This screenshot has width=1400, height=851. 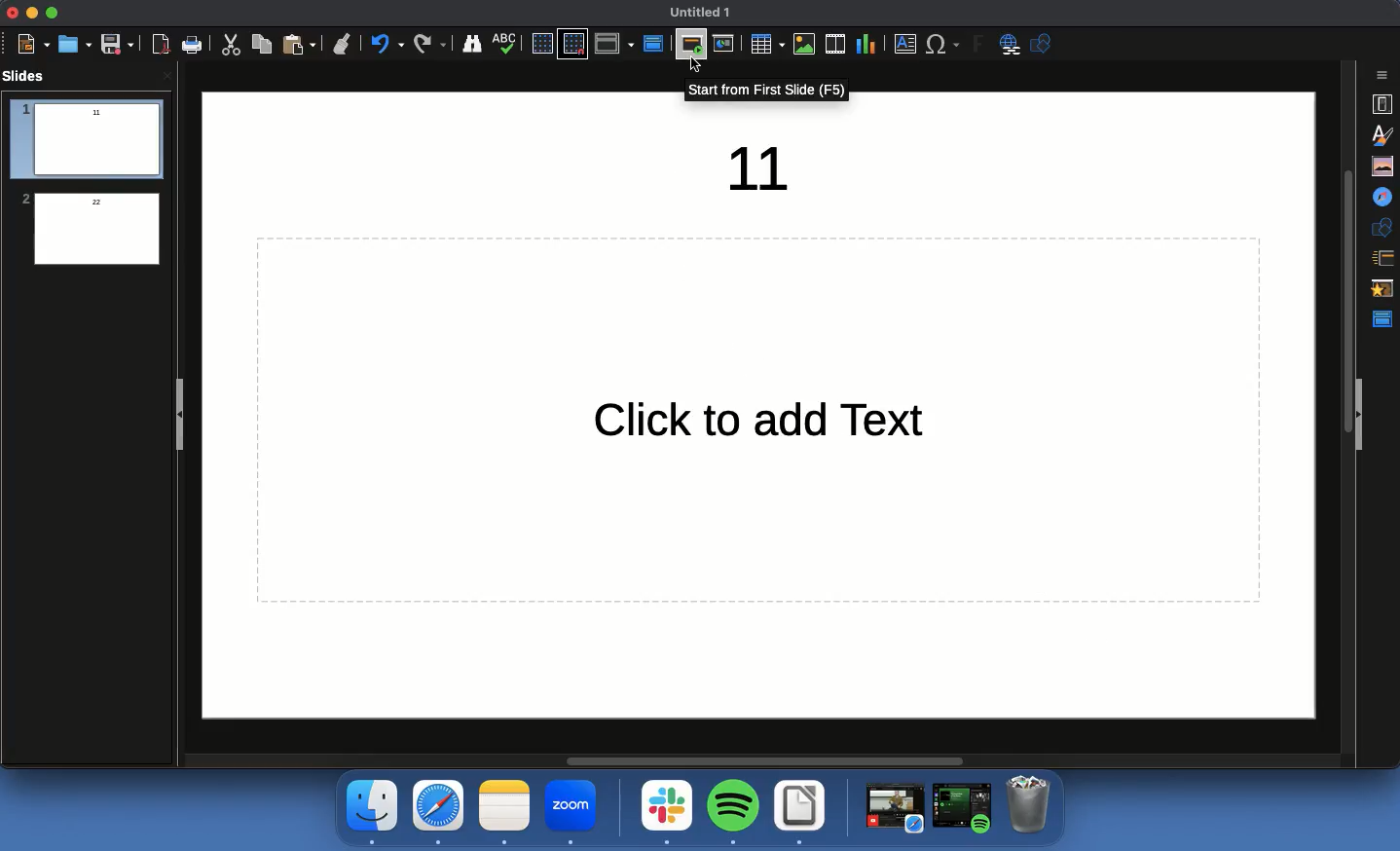 What do you see at coordinates (693, 45) in the screenshot?
I see `Start from first slide` at bounding box center [693, 45].